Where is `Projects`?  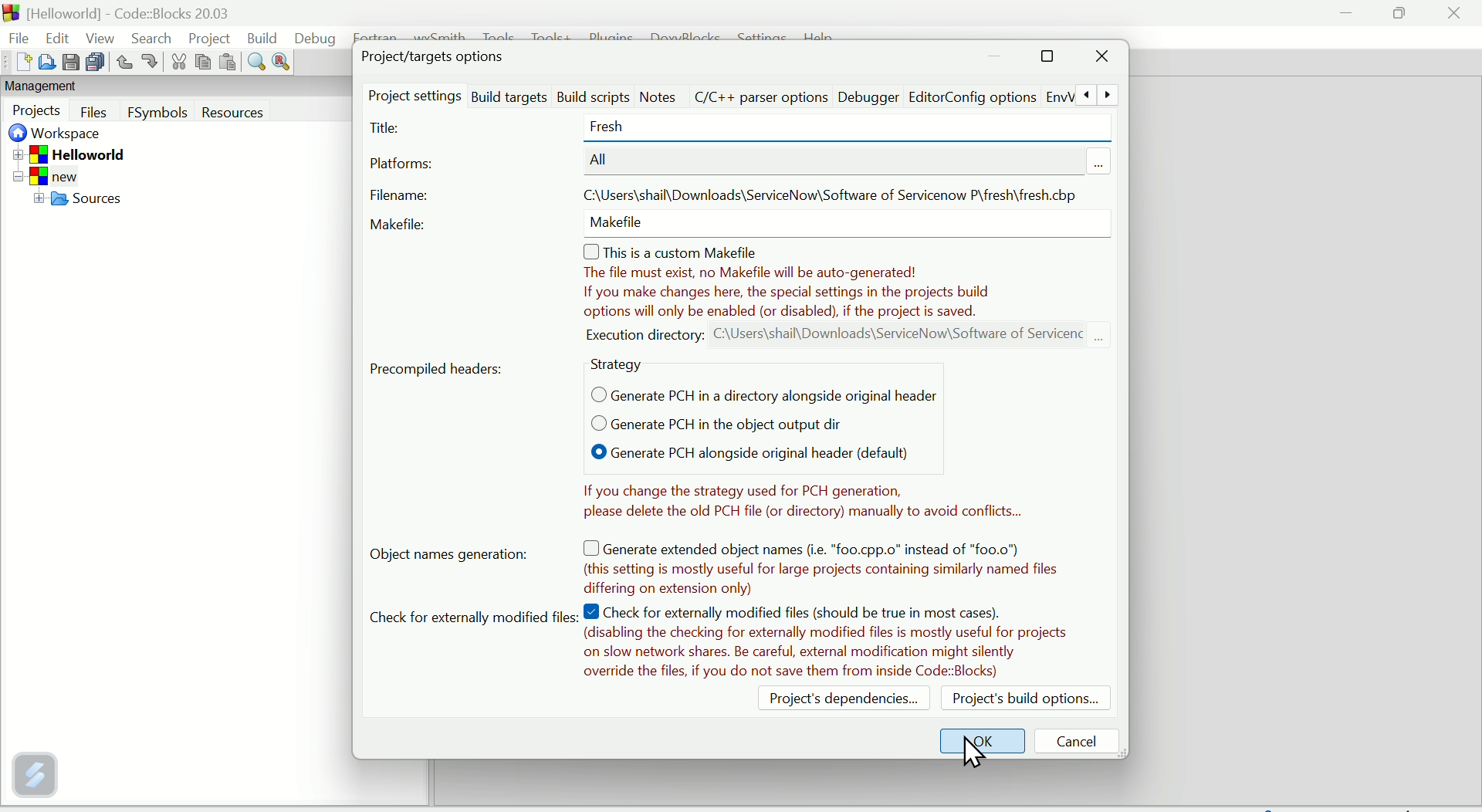
Projects is located at coordinates (38, 111).